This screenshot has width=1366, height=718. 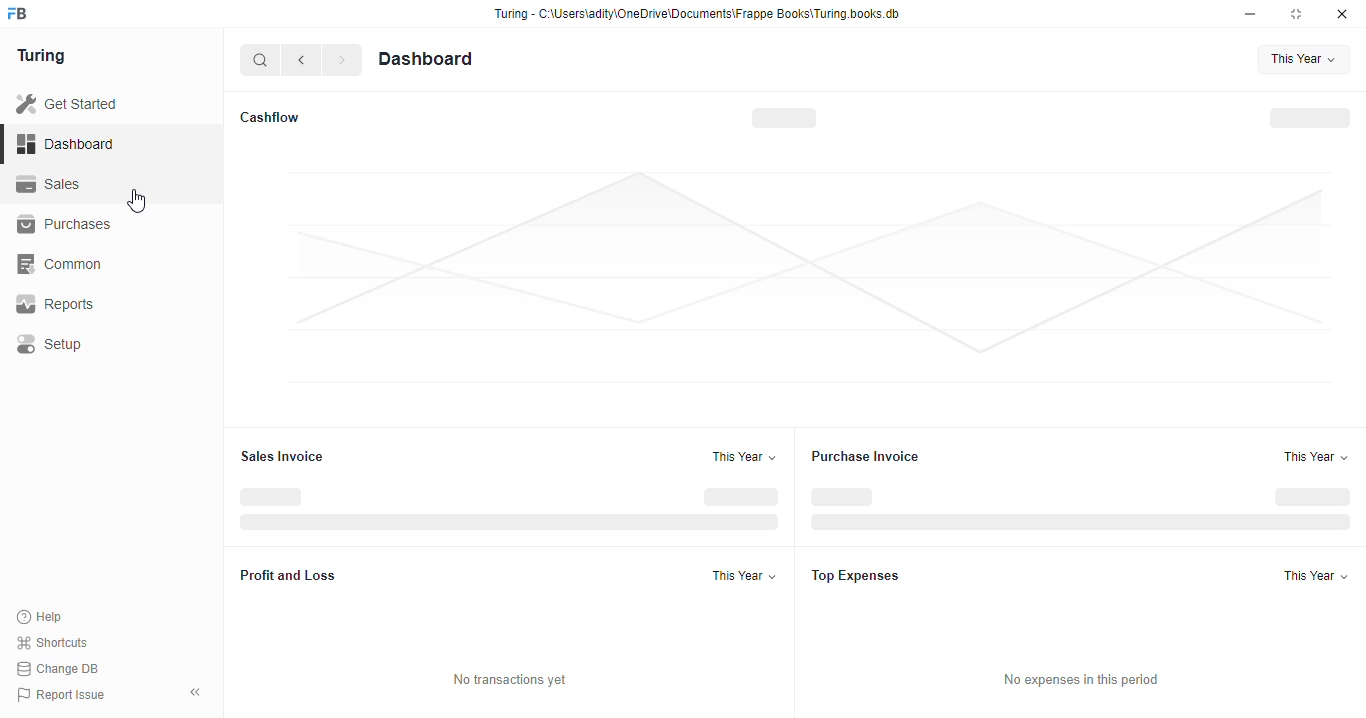 I want to click on ‘Common, so click(x=104, y=264).